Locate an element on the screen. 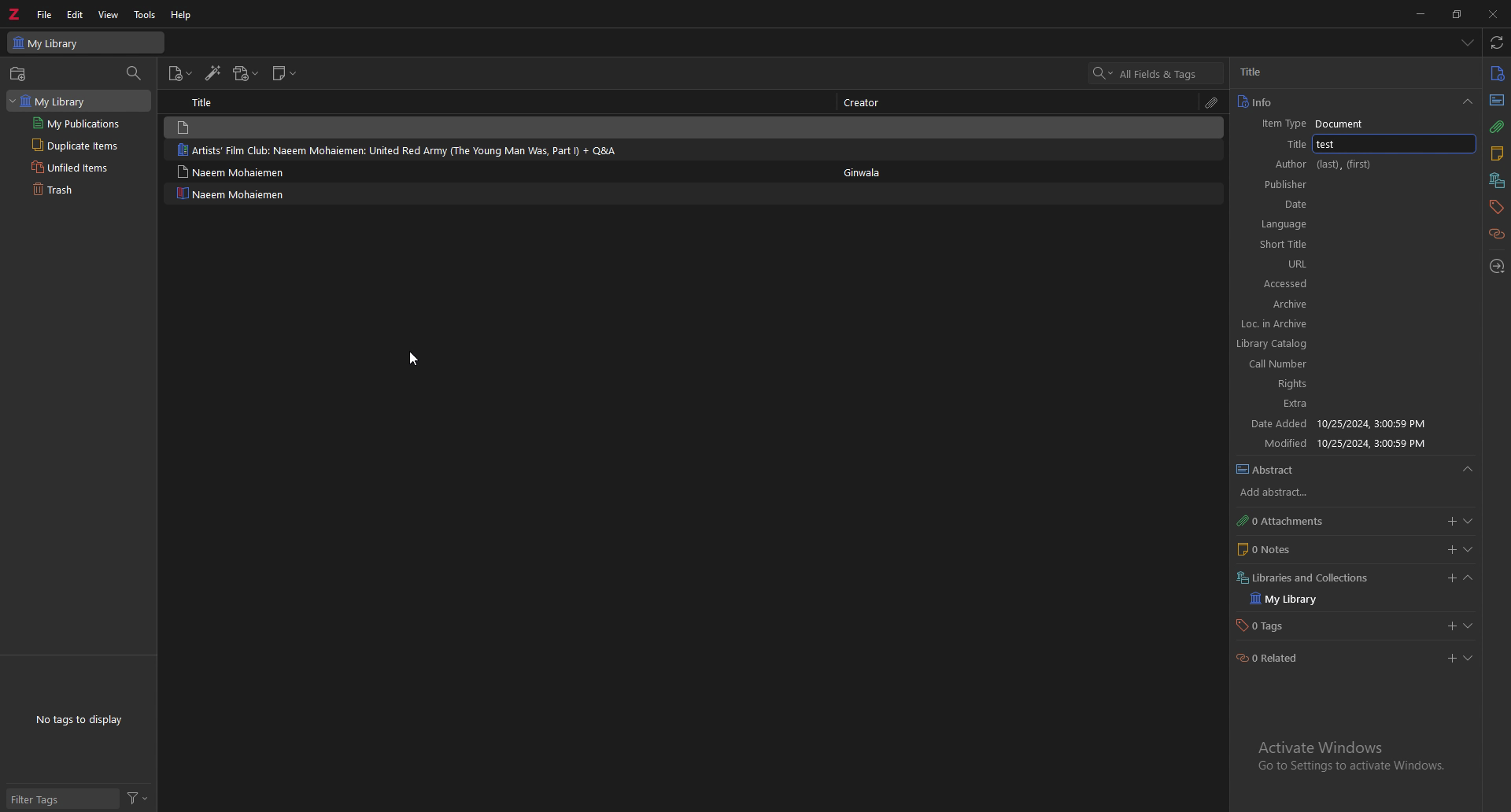  attachments is located at coordinates (1497, 127).